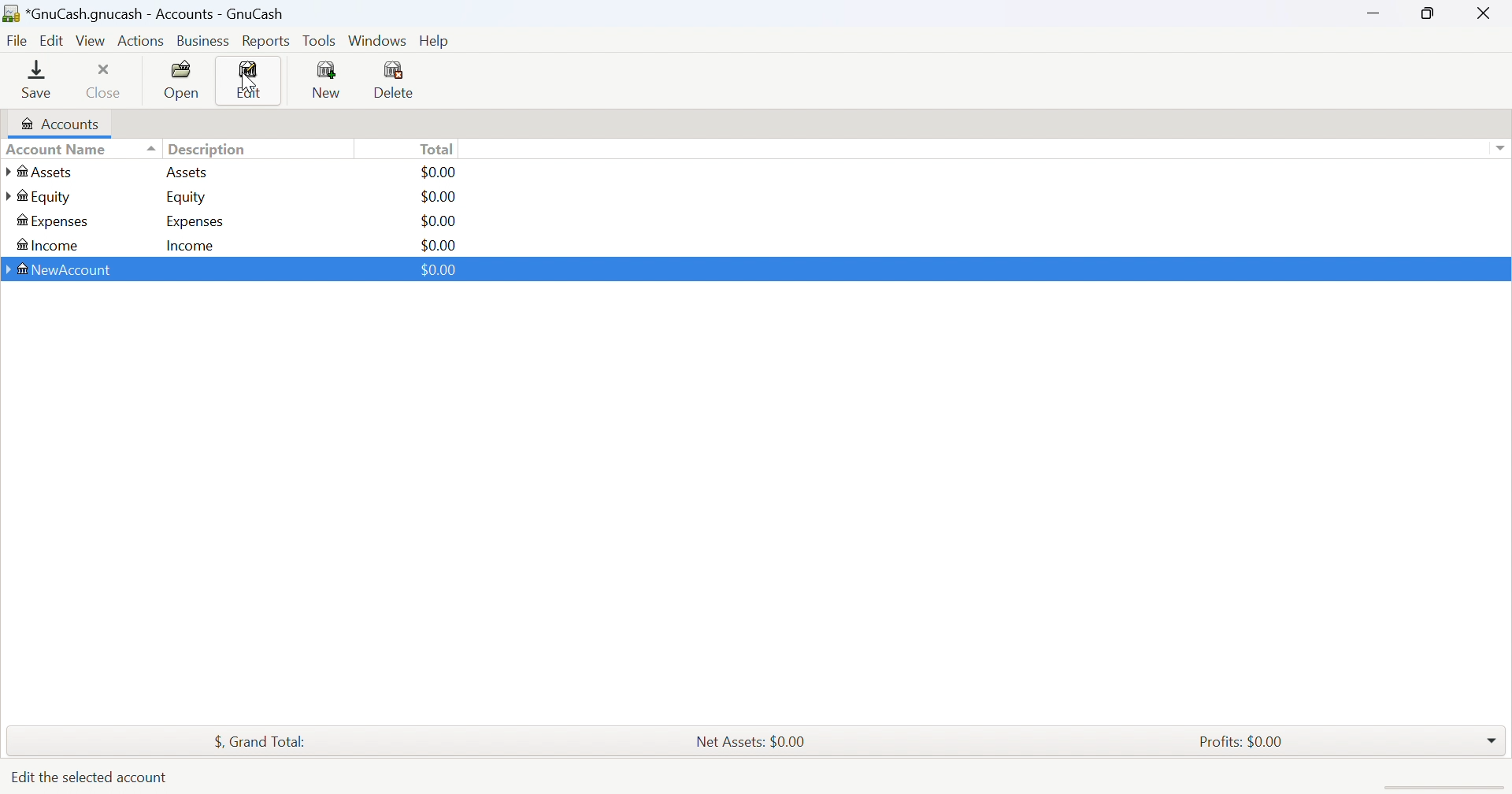 This screenshot has width=1512, height=794. I want to click on Restore Down, so click(1430, 12).